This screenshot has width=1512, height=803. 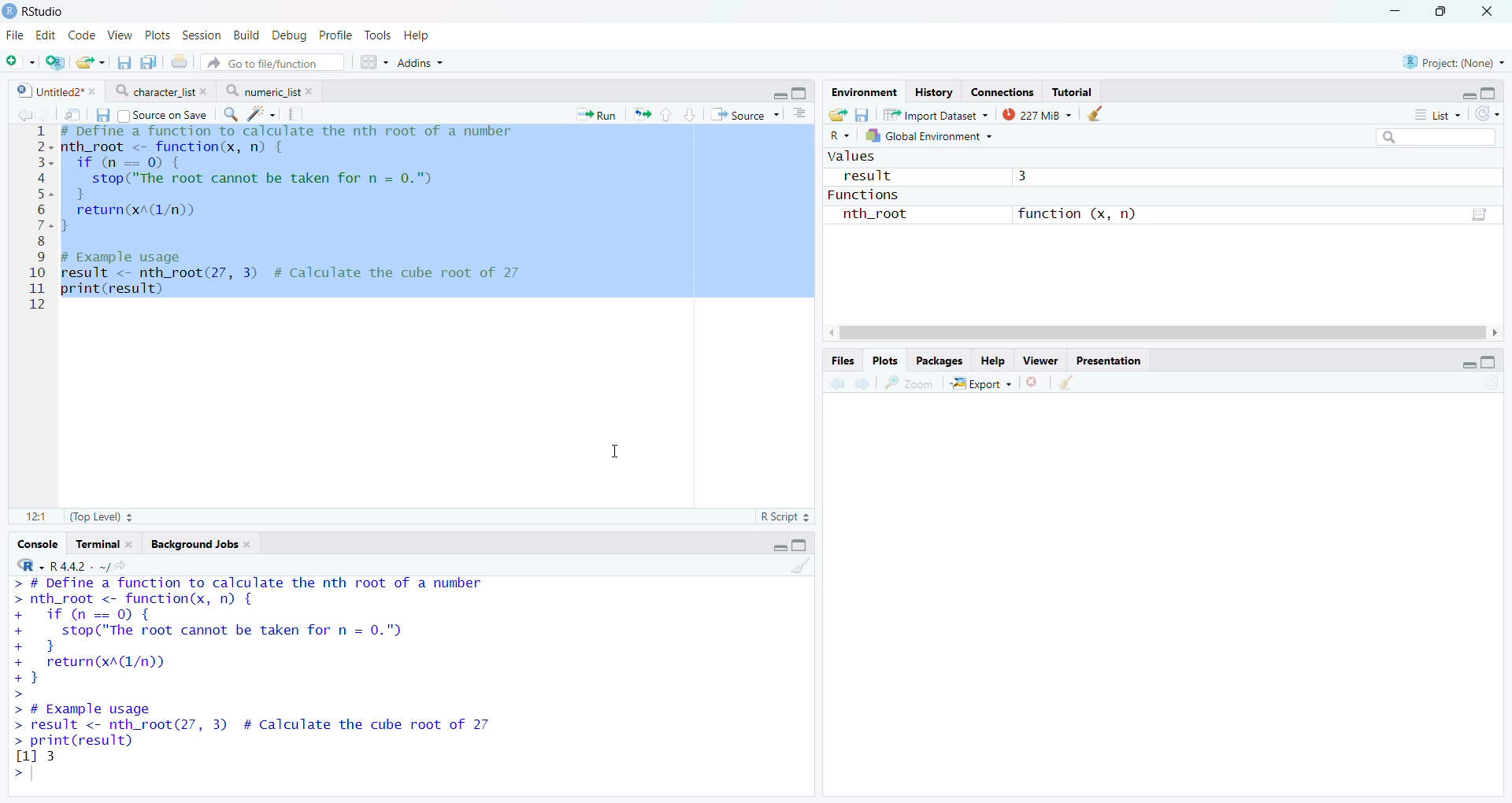 I want to click on Search, so click(x=1434, y=137).